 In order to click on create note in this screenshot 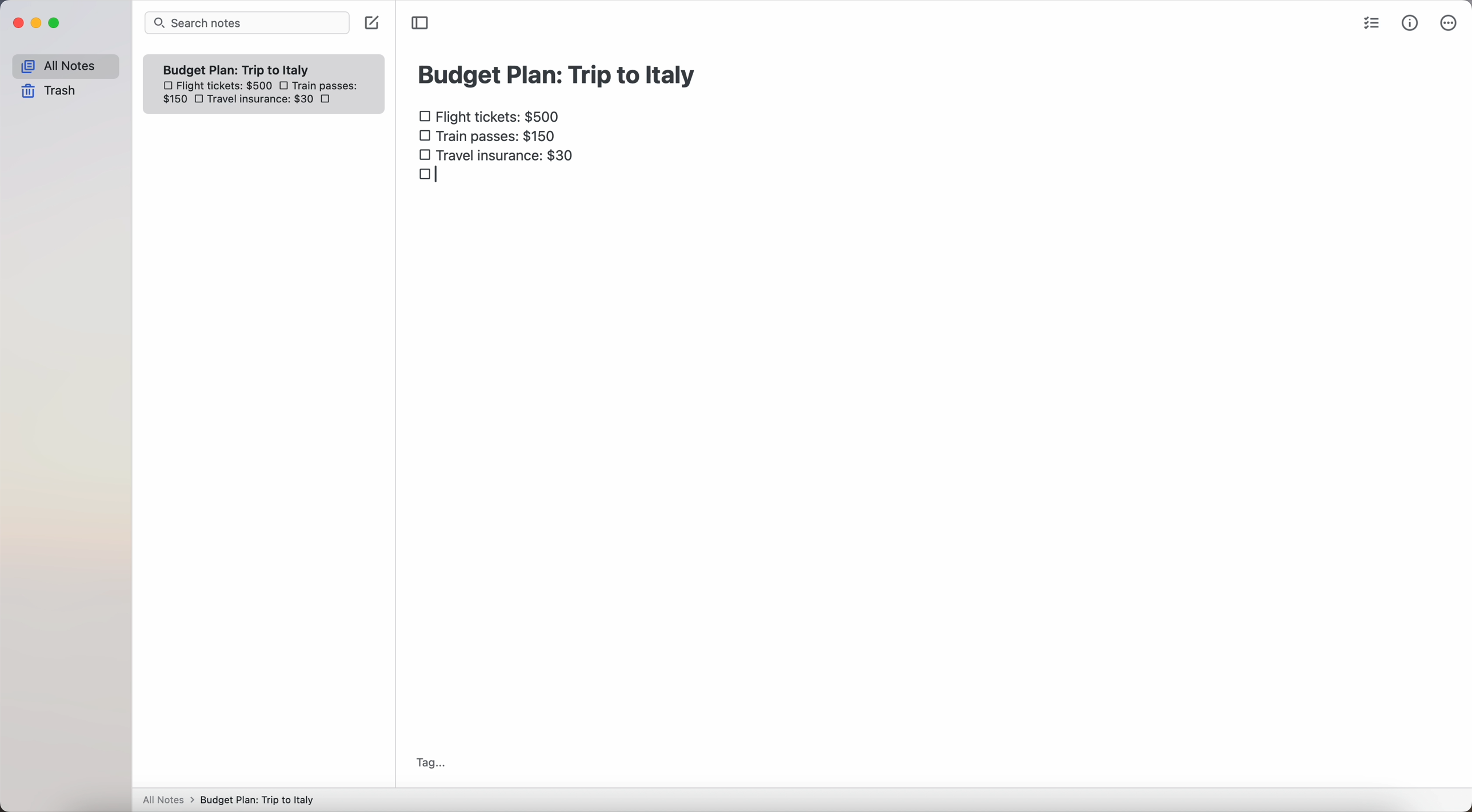, I will do `click(371, 24)`.